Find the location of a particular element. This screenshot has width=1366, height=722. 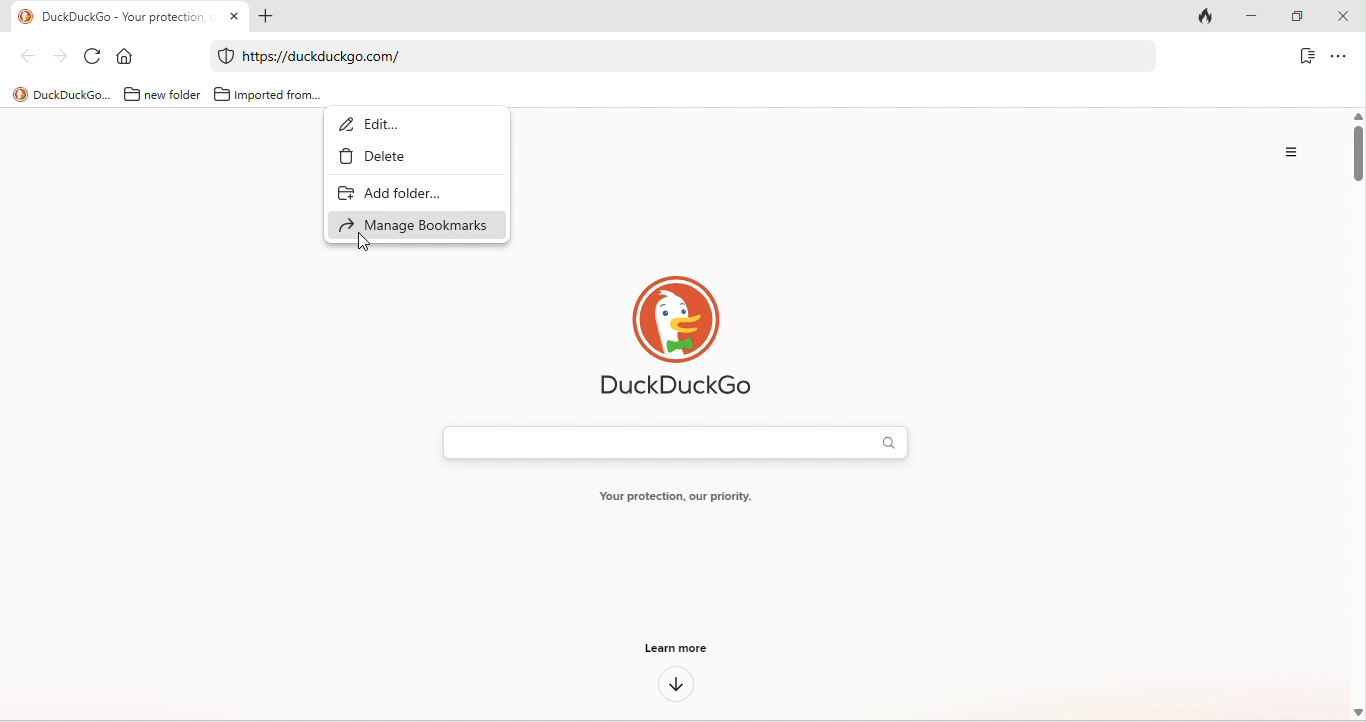

edit is located at coordinates (377, 125).